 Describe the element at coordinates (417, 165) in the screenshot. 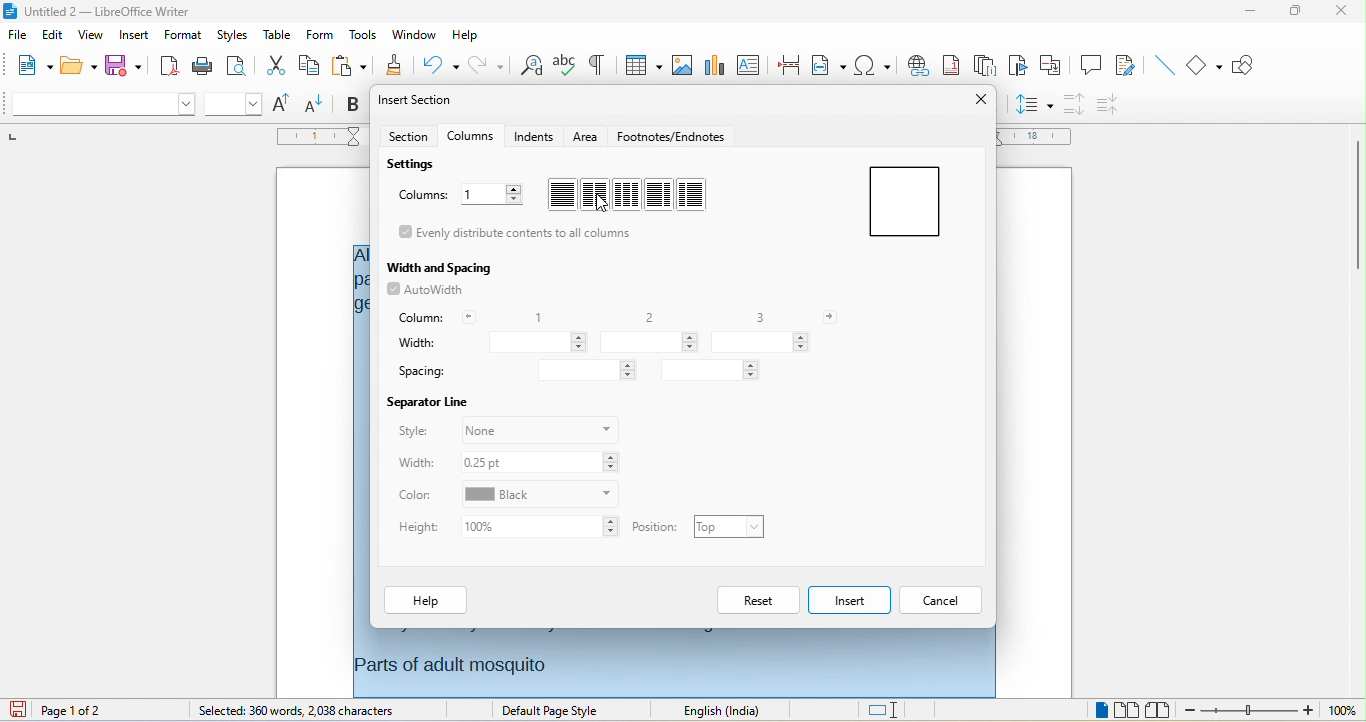

I see `settings` at that location.